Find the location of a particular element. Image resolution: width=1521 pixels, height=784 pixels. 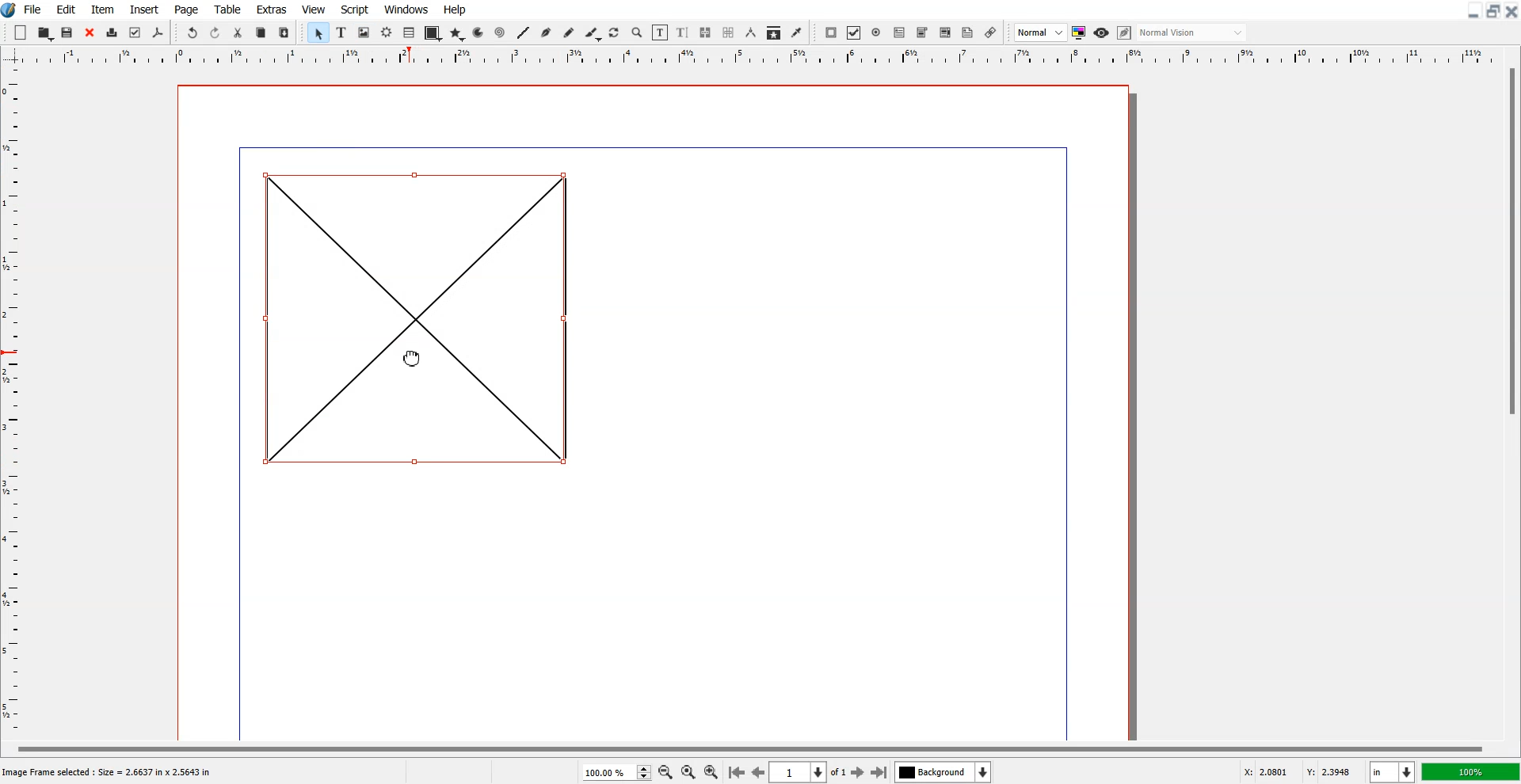

Edit is located at coordinates (66, 9).